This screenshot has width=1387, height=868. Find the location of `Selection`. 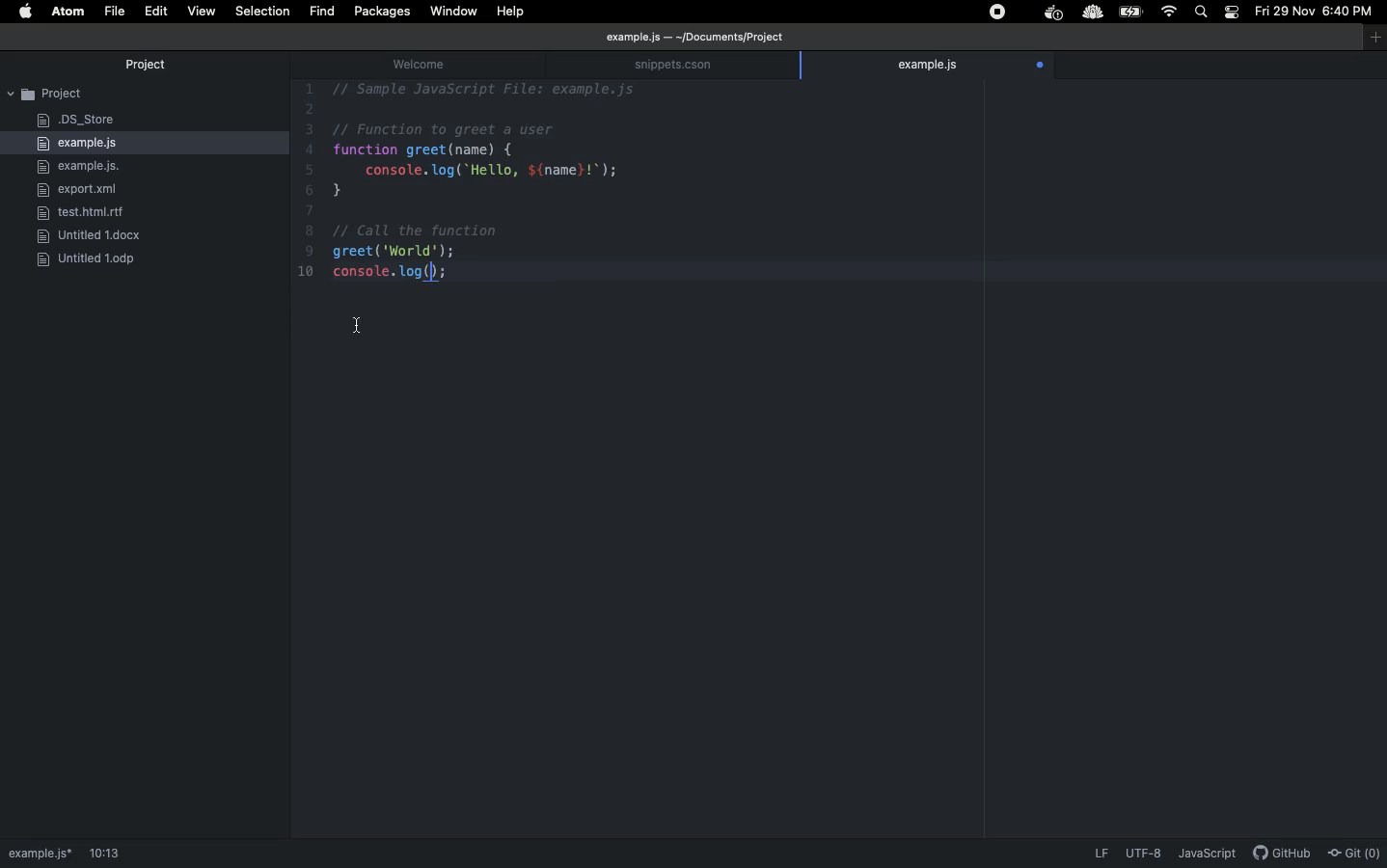

Selection is located at coordinates (265, 12).